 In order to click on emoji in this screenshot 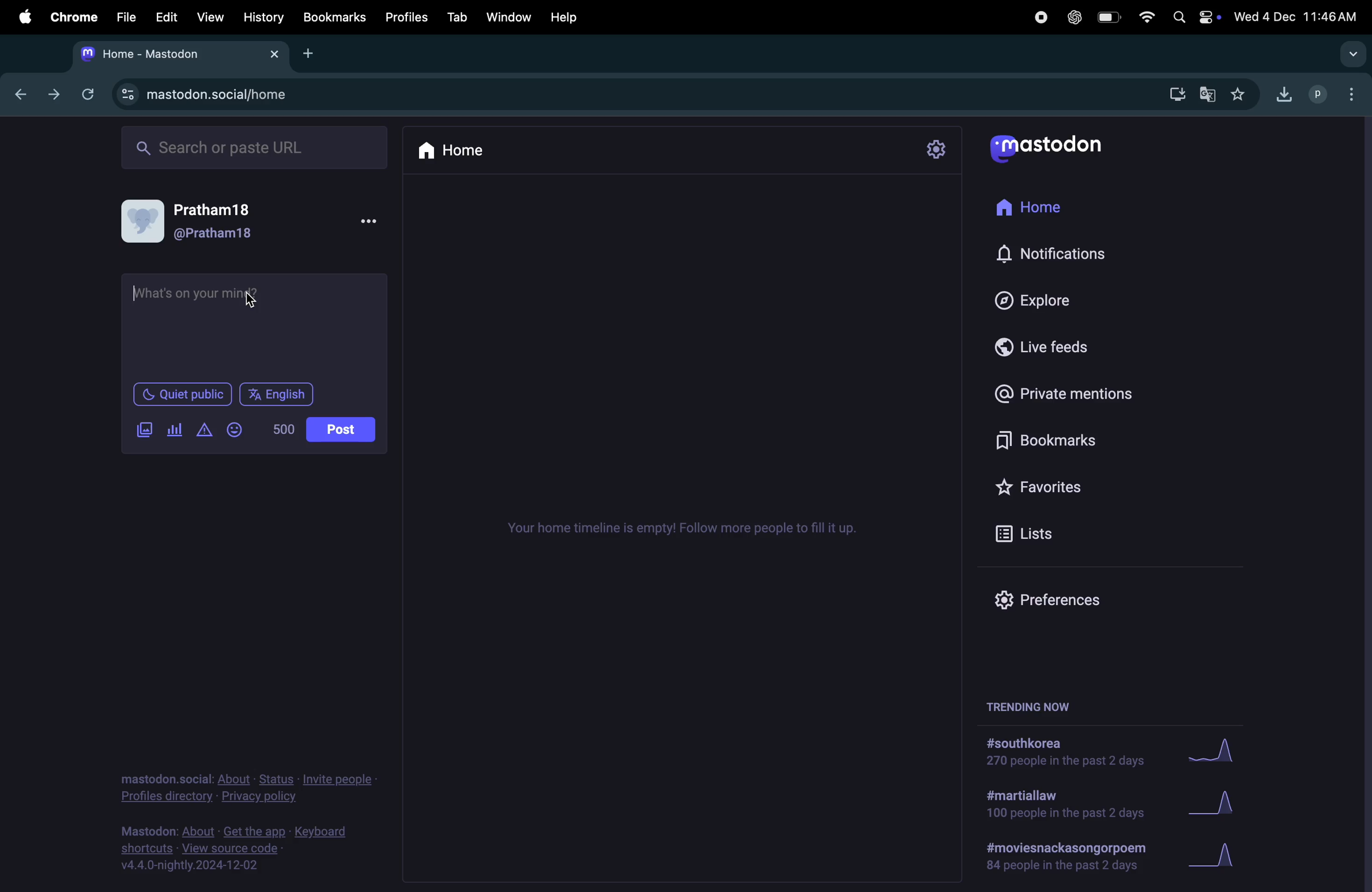, I will do `click(240, 429)`.